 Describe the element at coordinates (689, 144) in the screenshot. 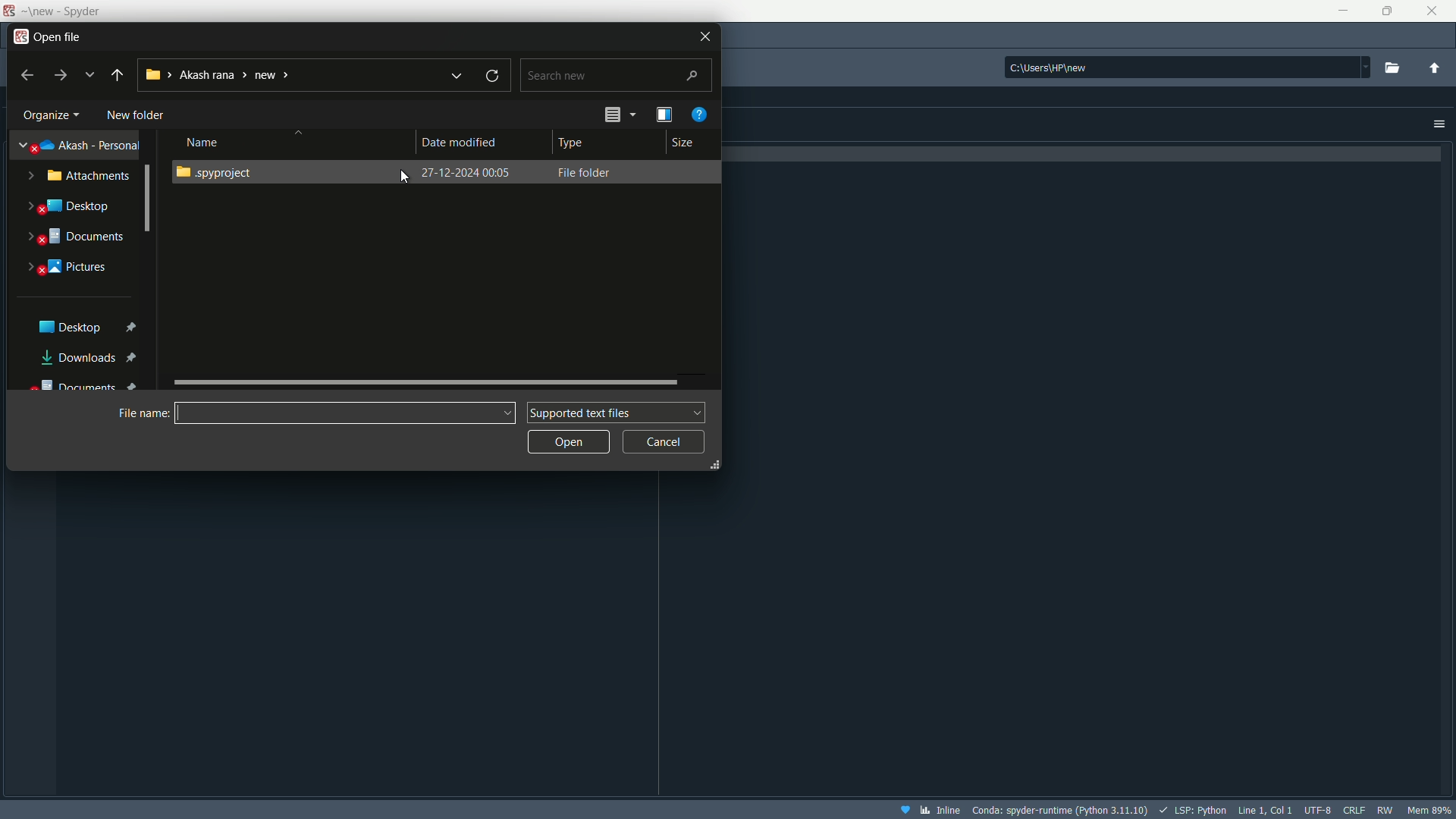

I see `Size` at that location.